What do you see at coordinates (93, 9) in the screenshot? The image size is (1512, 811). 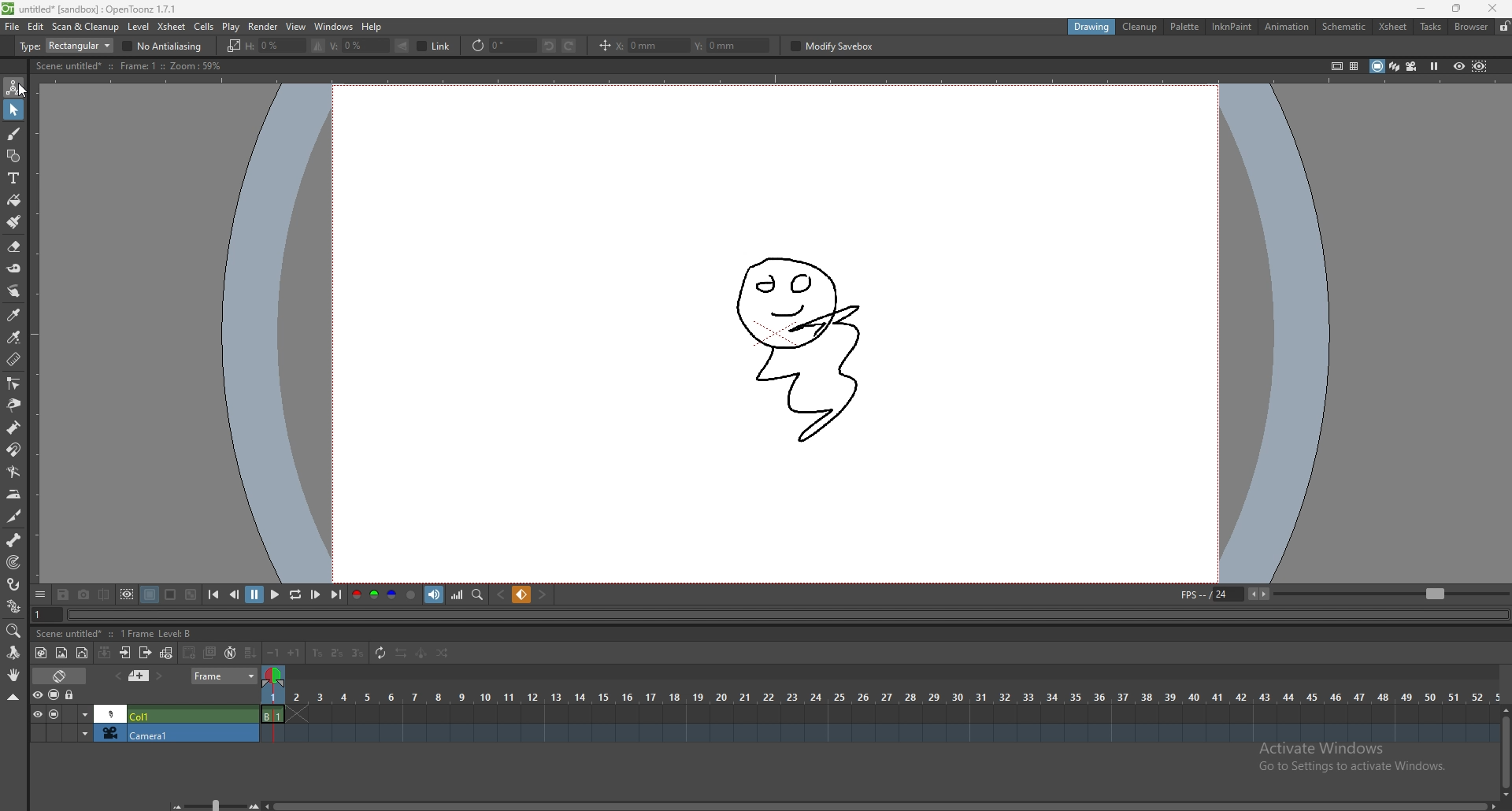 I see `title` at bounding box center [93, 9].